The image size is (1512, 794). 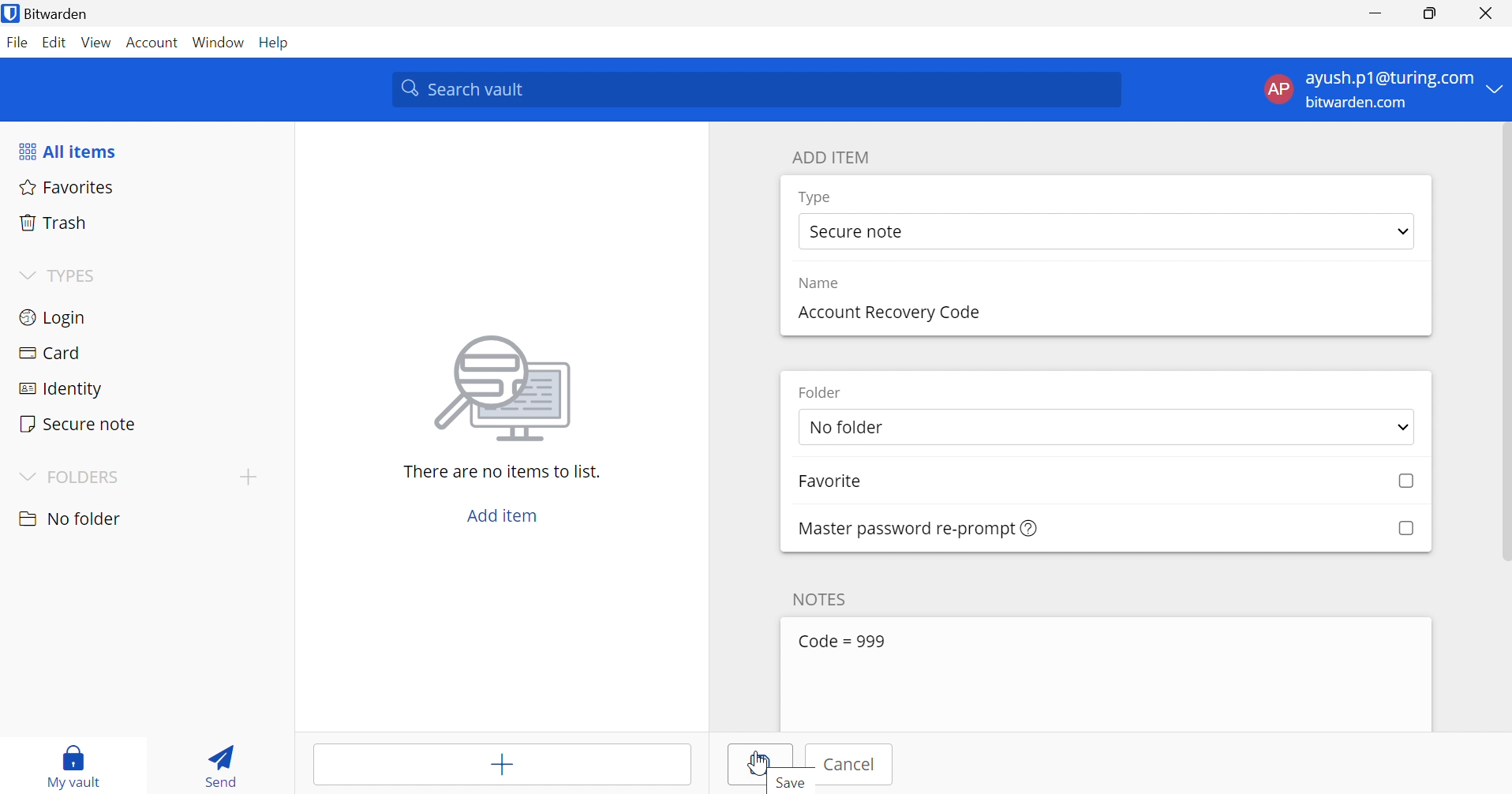 I want to click on Vertical scrollbar, so click(x=1503, y=343).